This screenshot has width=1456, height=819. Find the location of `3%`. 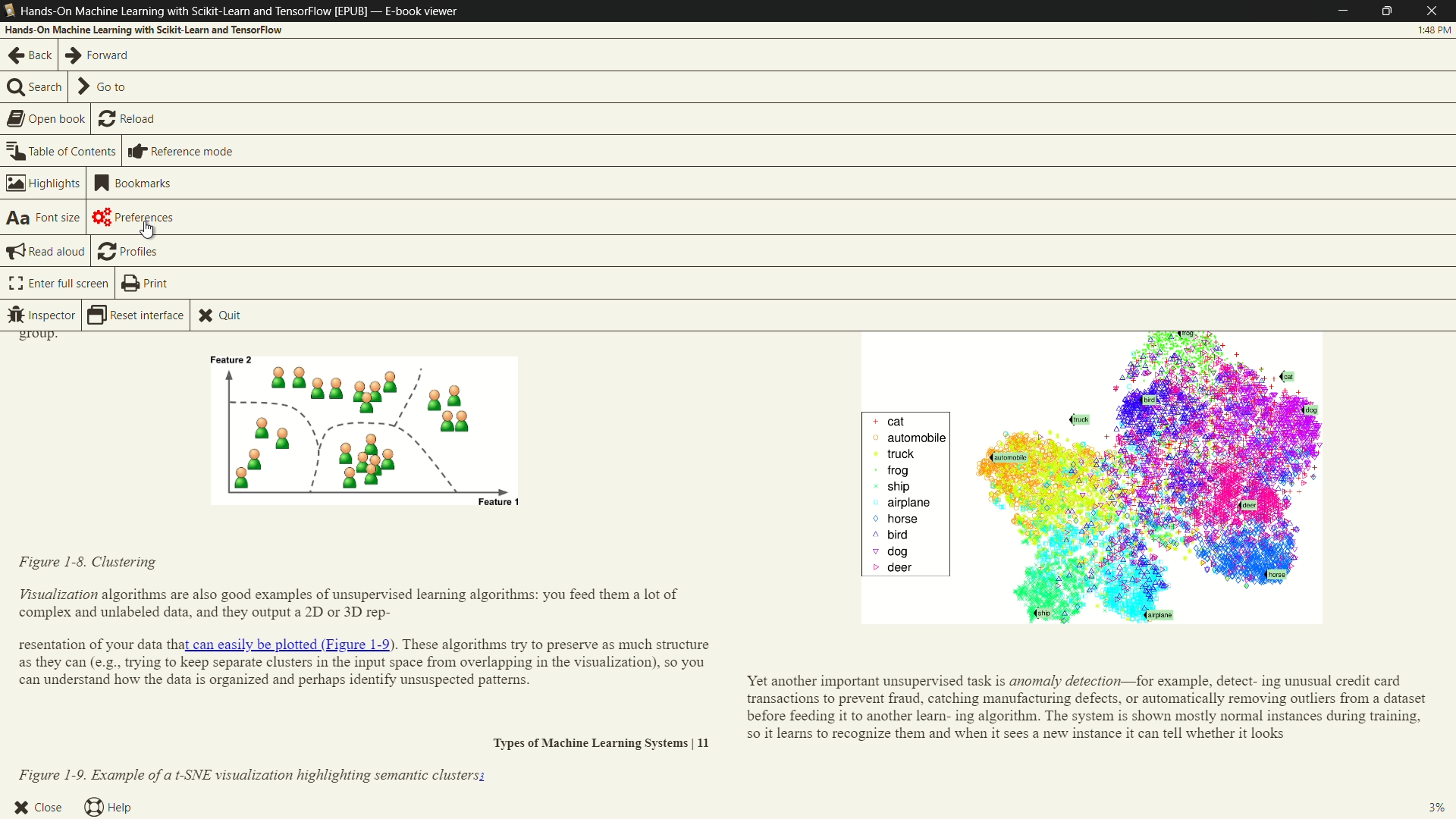

3% is located at coordinates (1442, 806).